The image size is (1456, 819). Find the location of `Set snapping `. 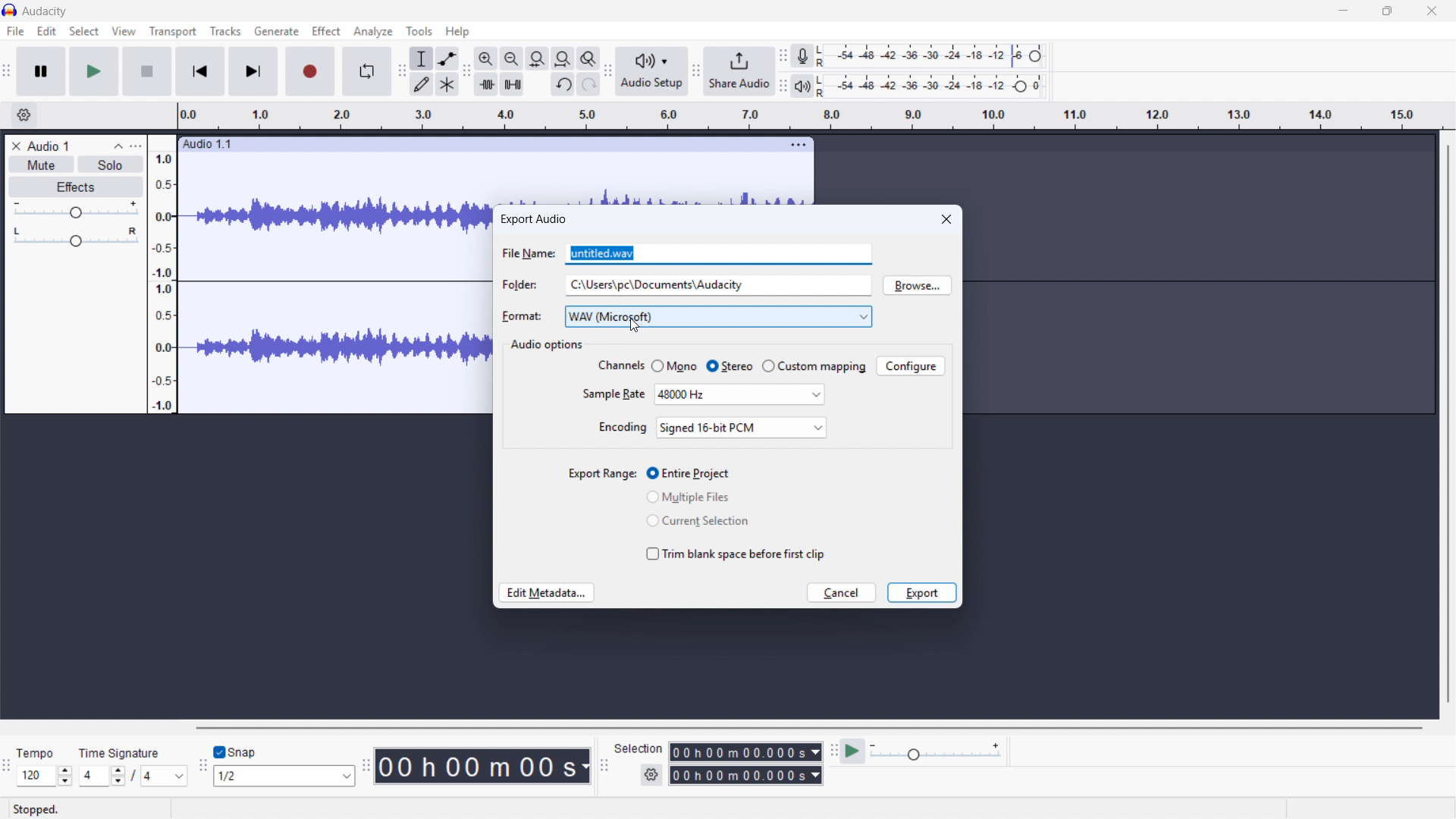

Set snapping  is located at coordinates (284, 776).